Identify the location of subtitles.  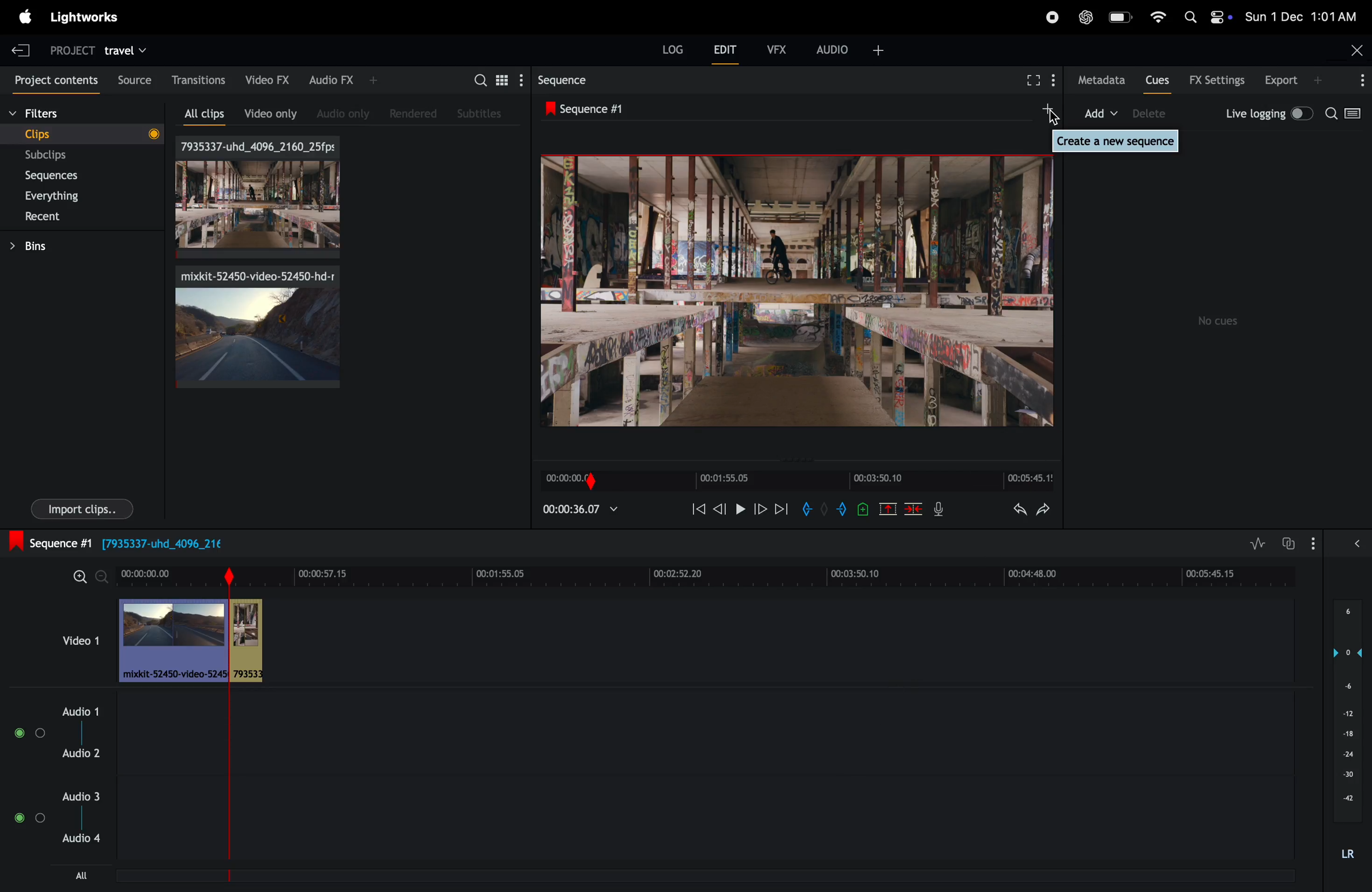
(481, 114).